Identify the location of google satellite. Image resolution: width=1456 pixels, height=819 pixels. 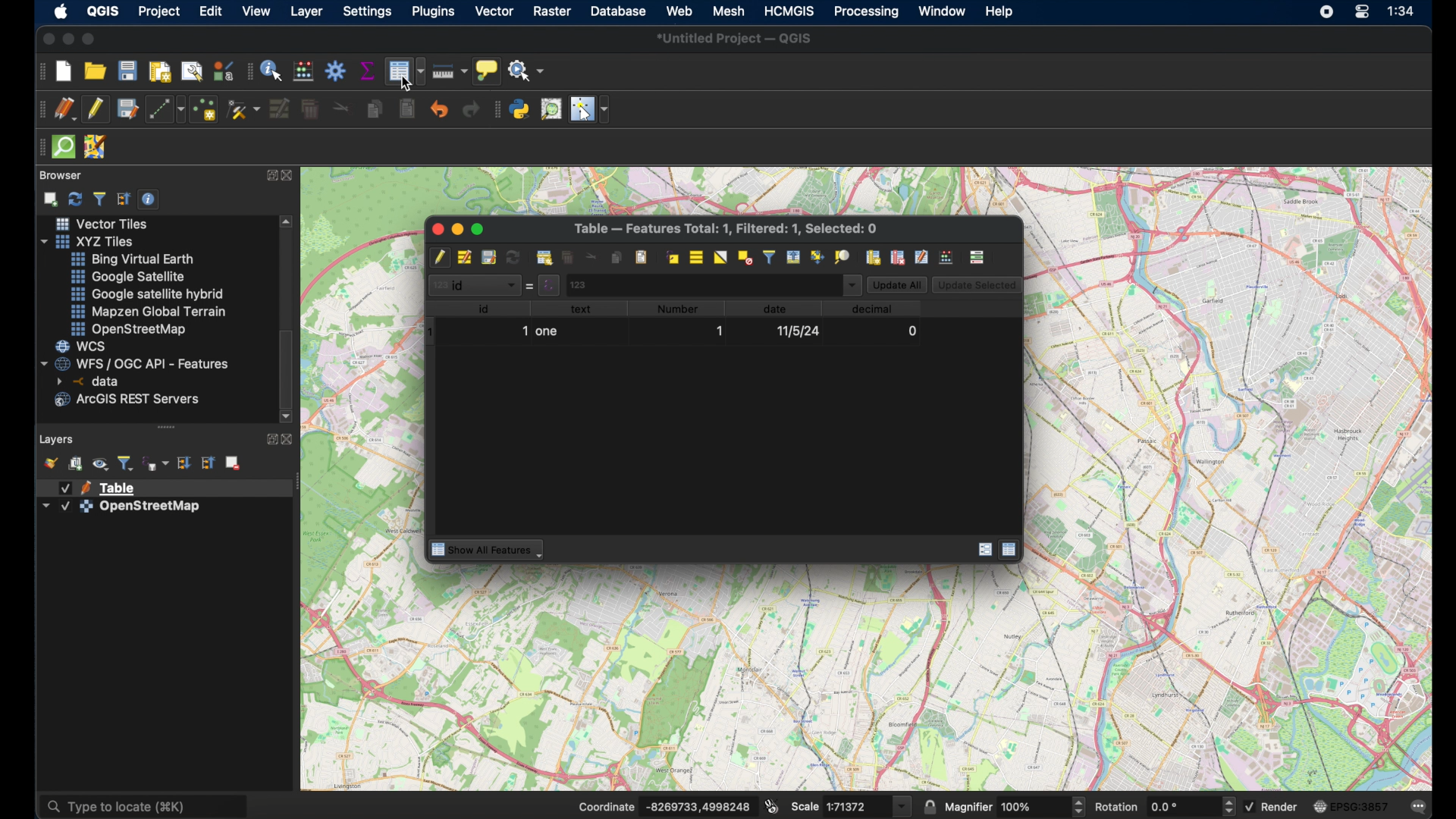
(130, 277).